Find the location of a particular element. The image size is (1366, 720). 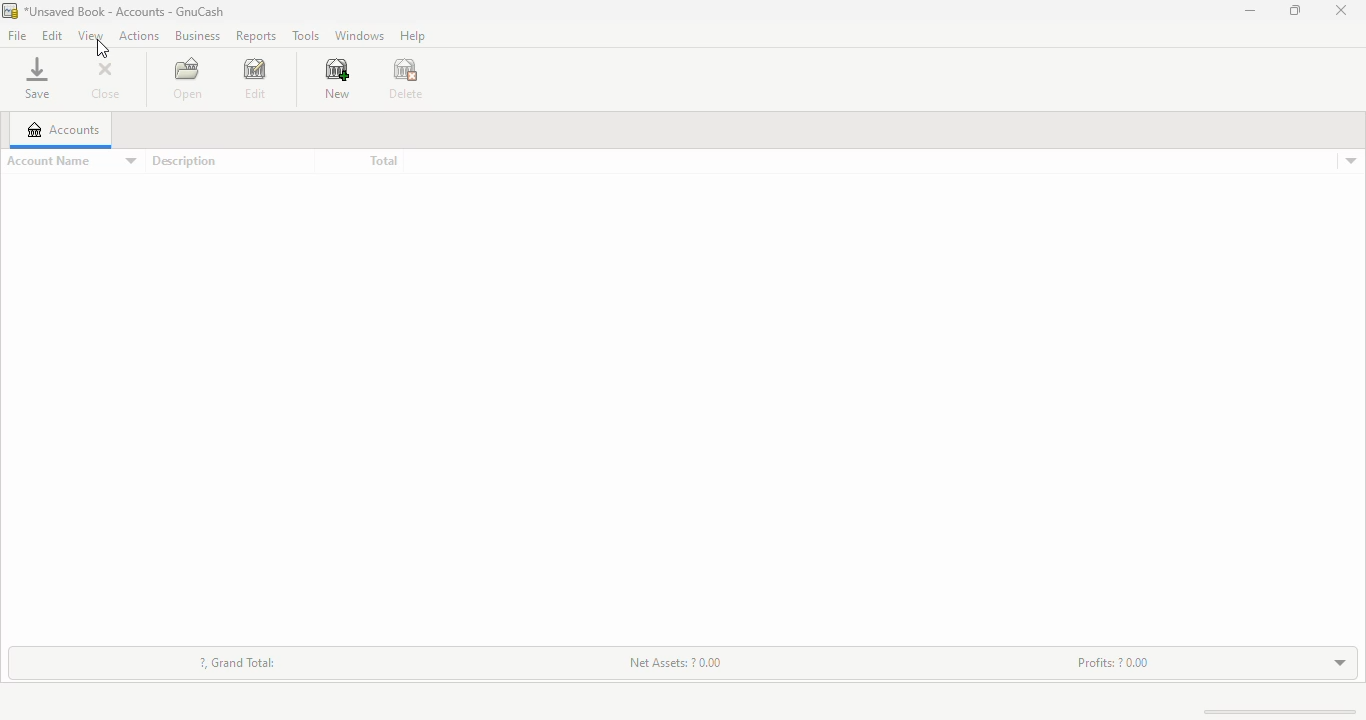

?, grand total: is located at coordinates (238, 662).